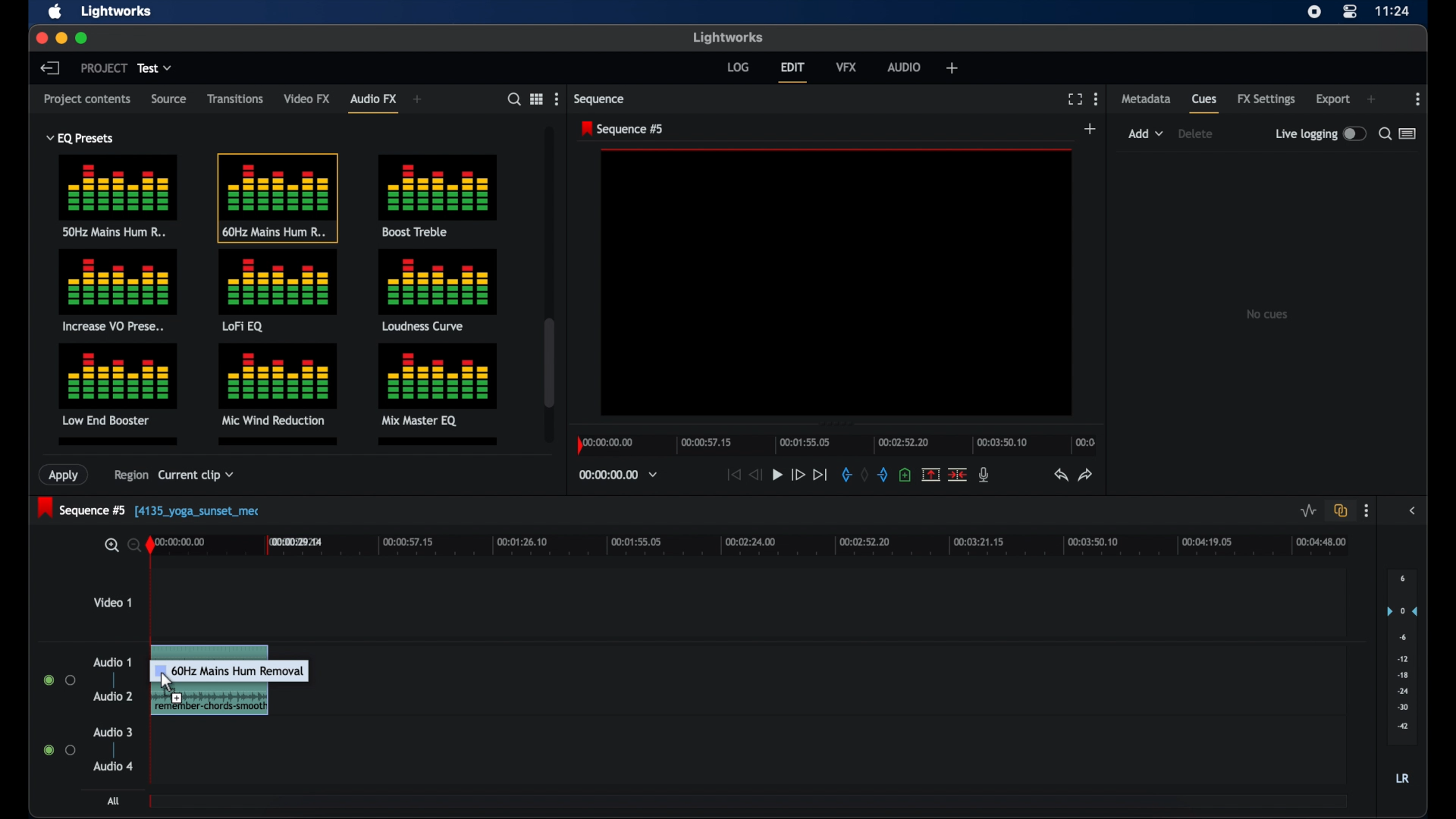 The image size is (1456, 819). What do you see at coordinates (957, 475) in the screenshot?
I see `cut` at bounding box center [957, 475].